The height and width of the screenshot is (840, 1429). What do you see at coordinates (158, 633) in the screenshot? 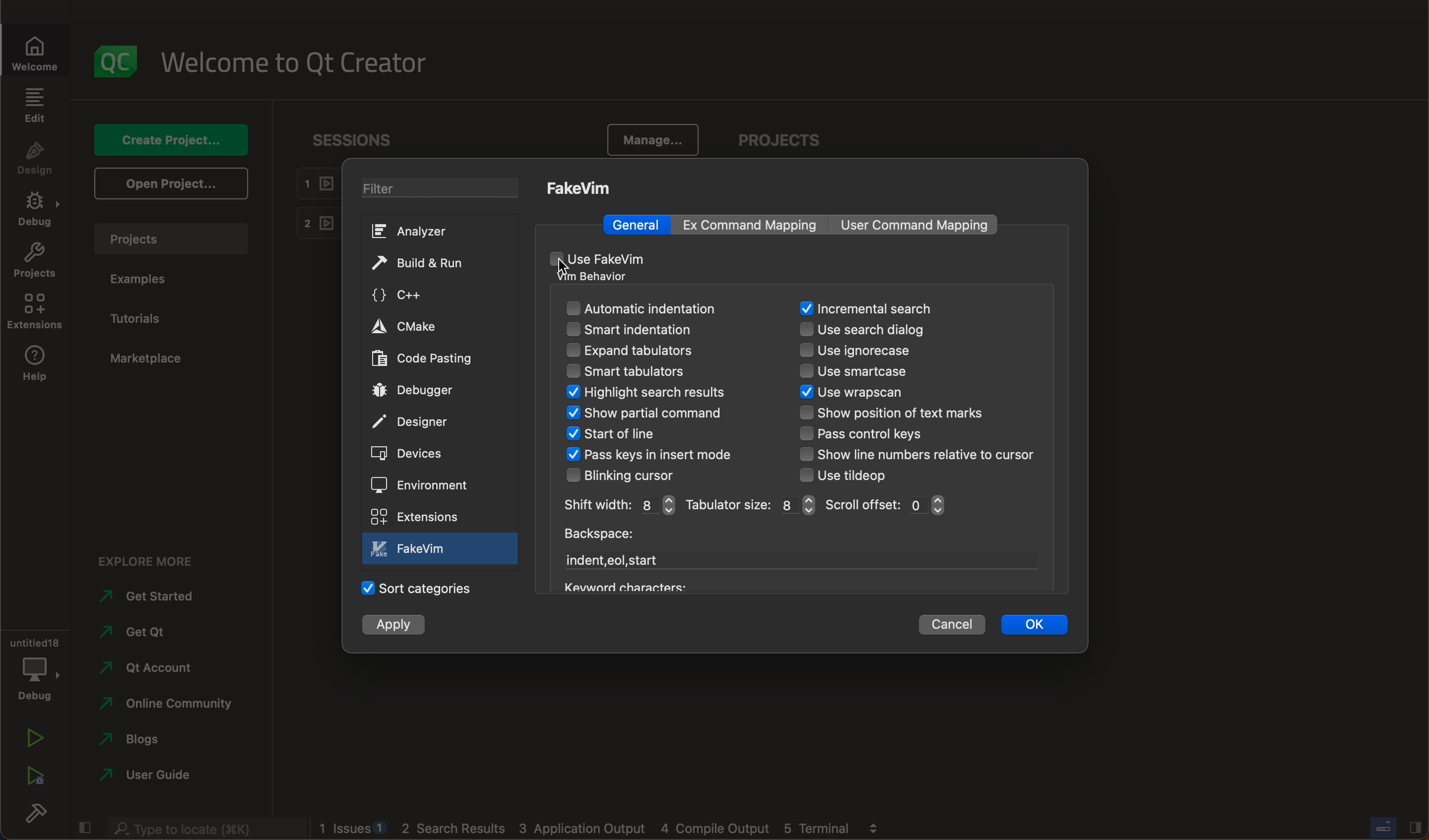
I see `qt` at bounding box center [158, 633].